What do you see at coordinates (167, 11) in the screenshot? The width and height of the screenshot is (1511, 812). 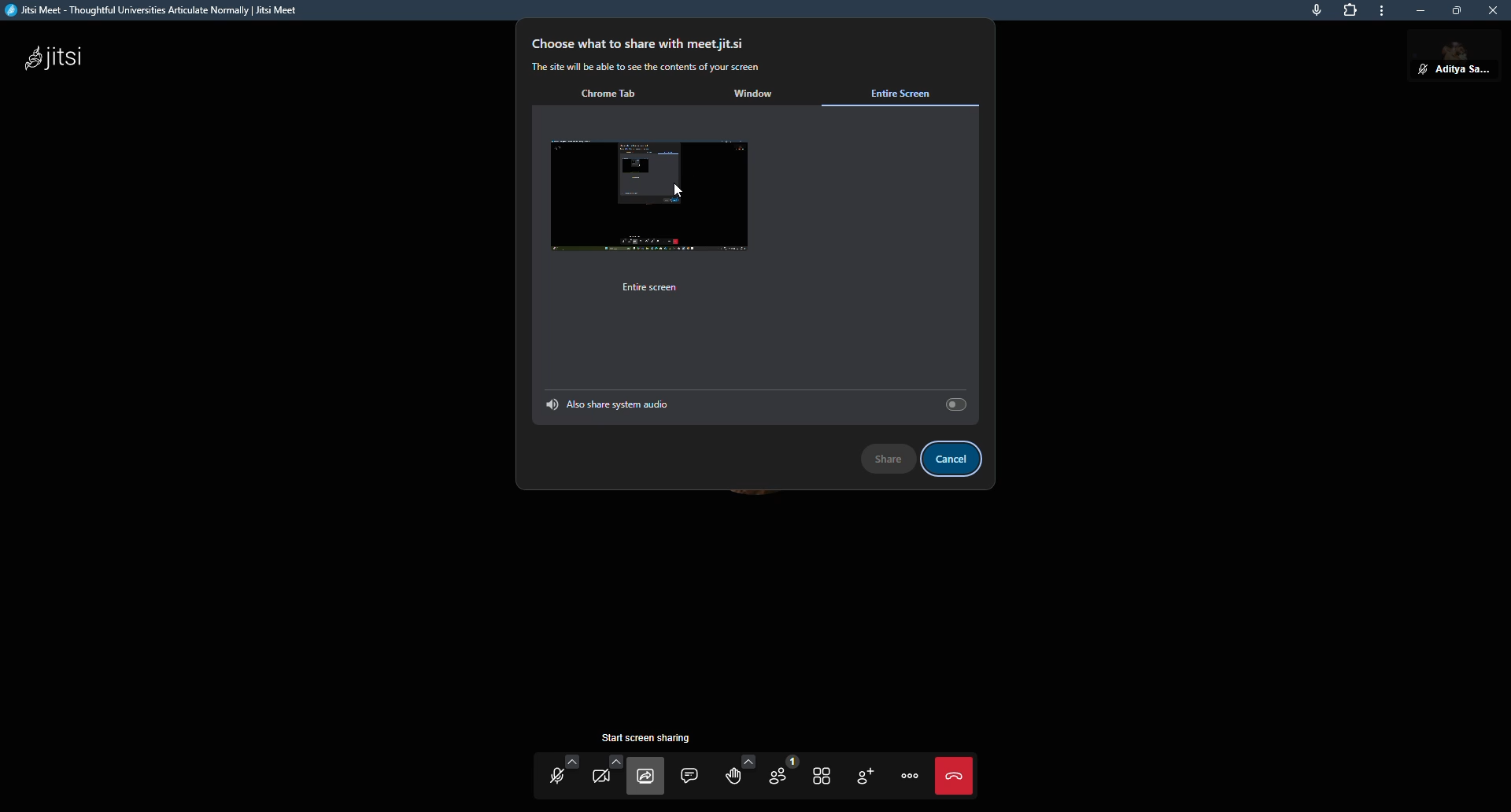 I see `Jitsi Meet - Thoughtful Universities Articulate Normally | Jitsi Meet` at bounding box center [167, 11].